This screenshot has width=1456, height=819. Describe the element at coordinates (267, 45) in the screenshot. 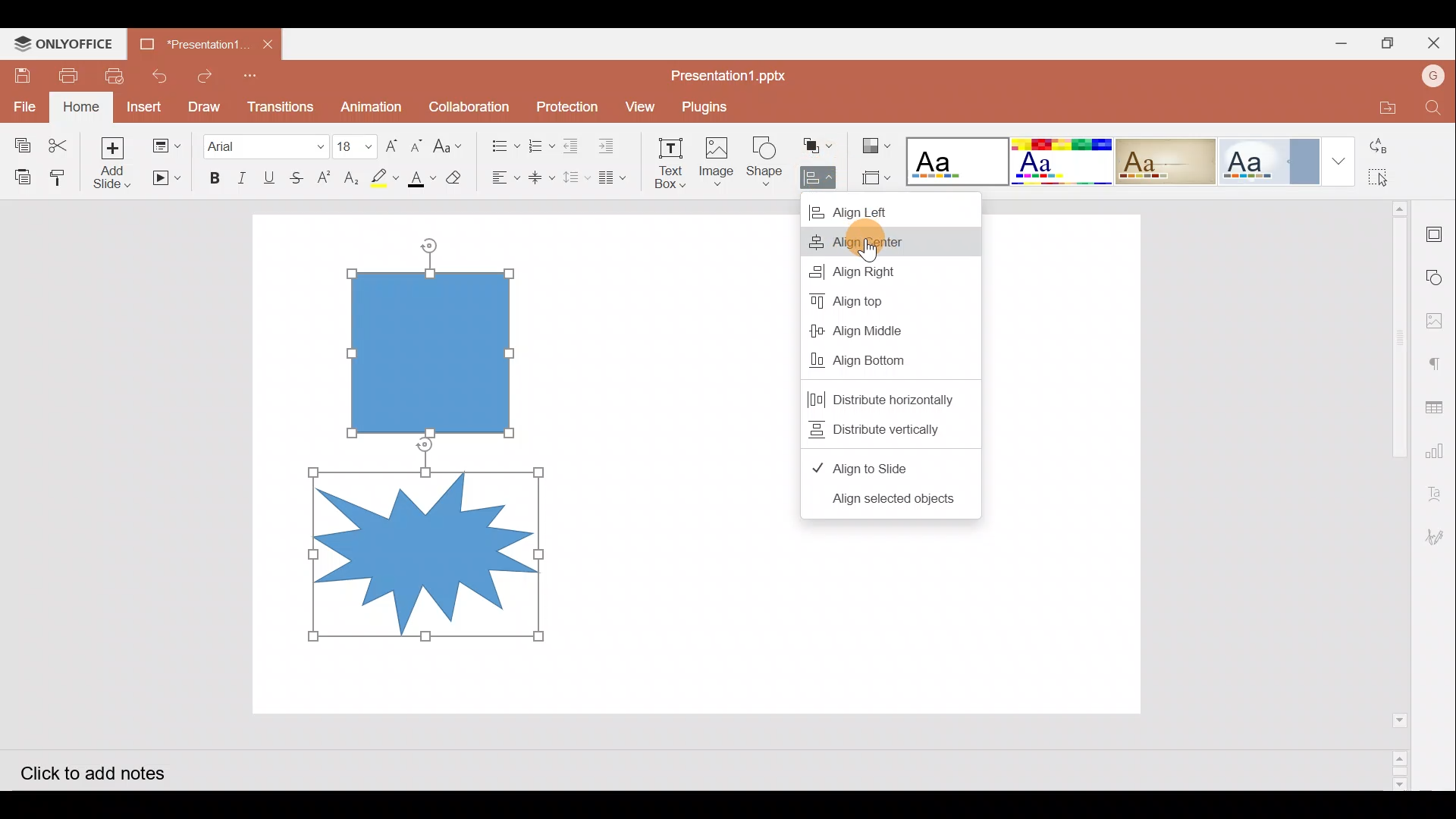

I see `Close document` at that location.